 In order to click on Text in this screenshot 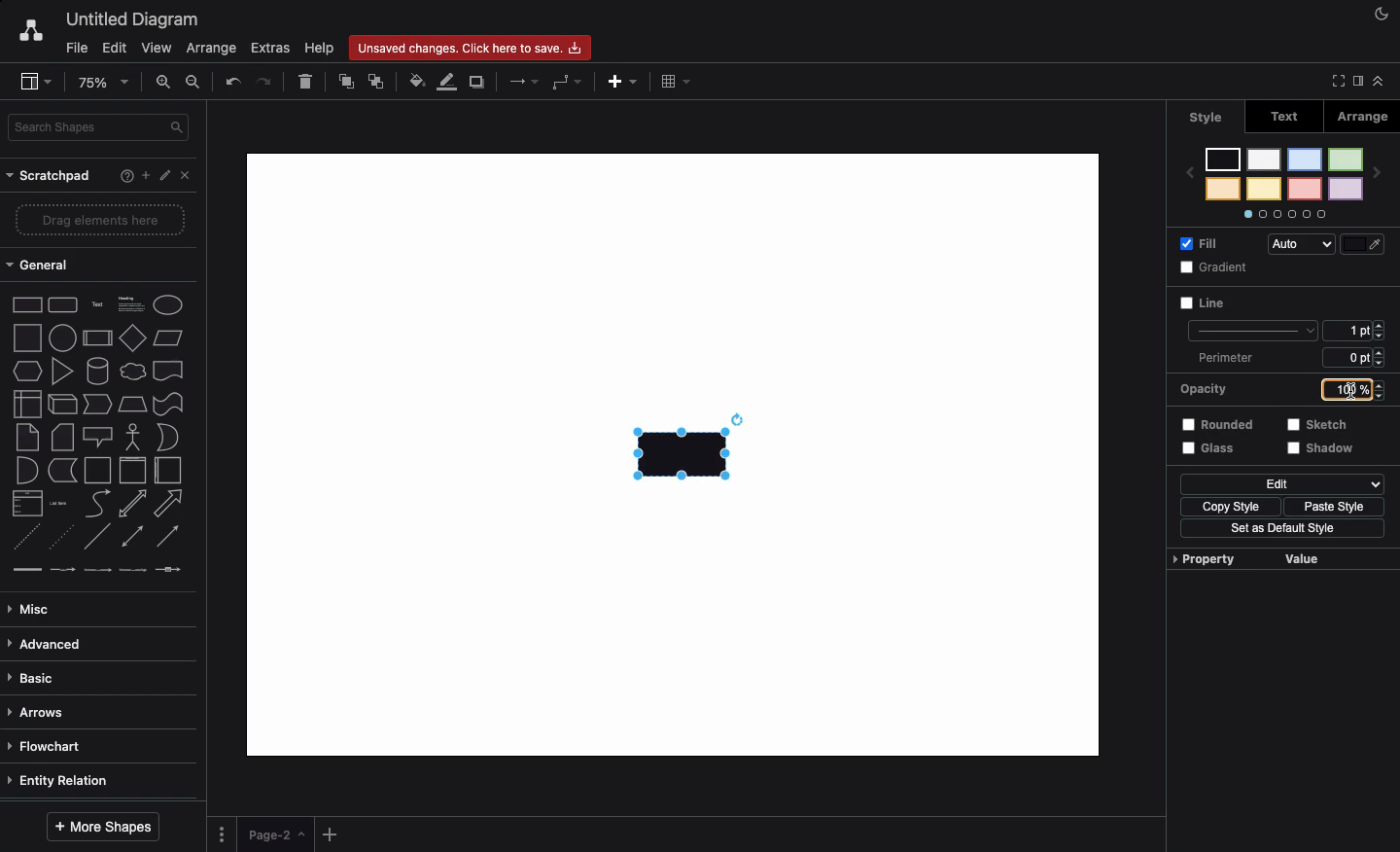, I will do `click(1280, 117)`.